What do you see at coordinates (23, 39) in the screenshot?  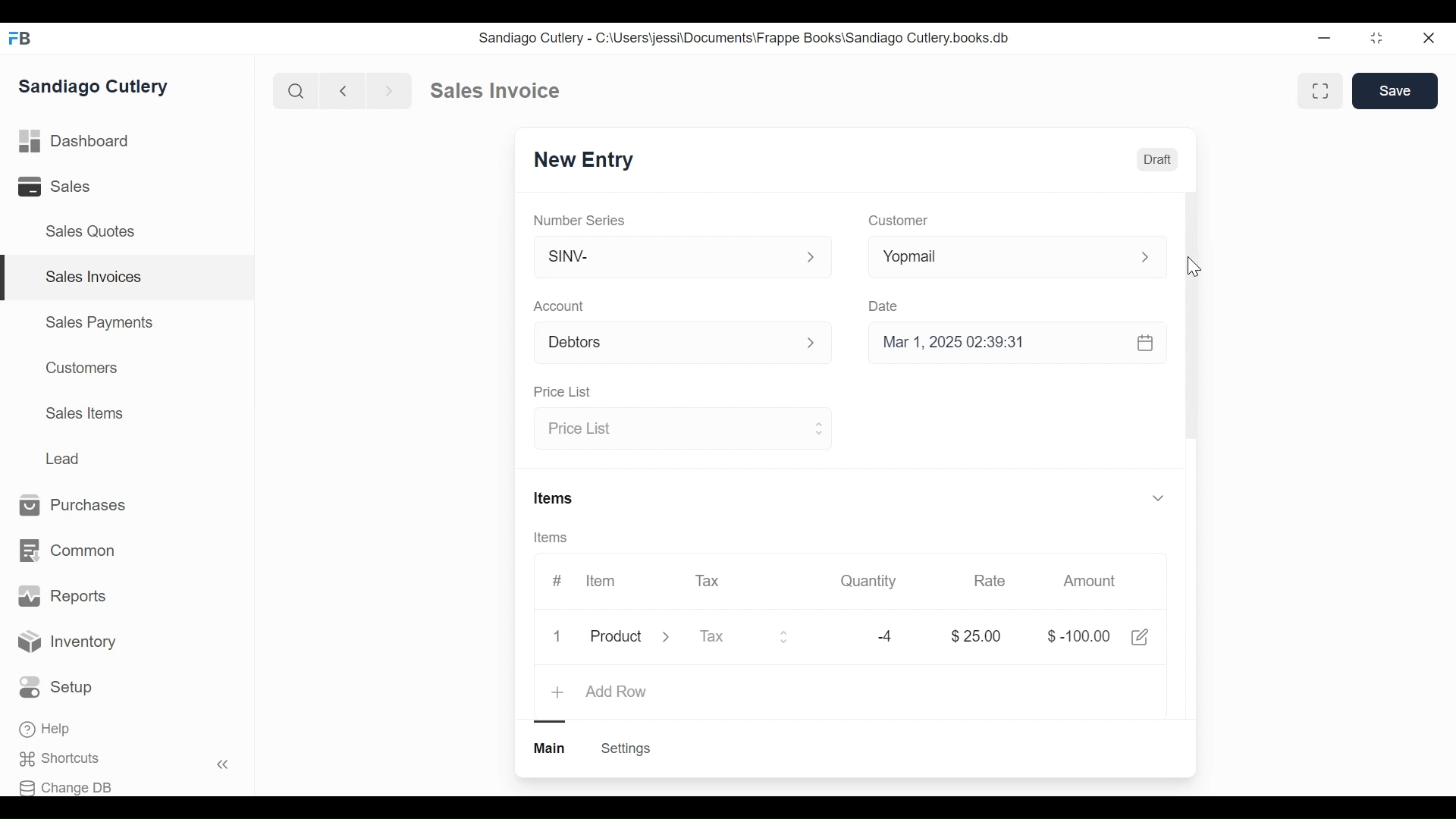 I see `FB` at bounding box center [23, 39].